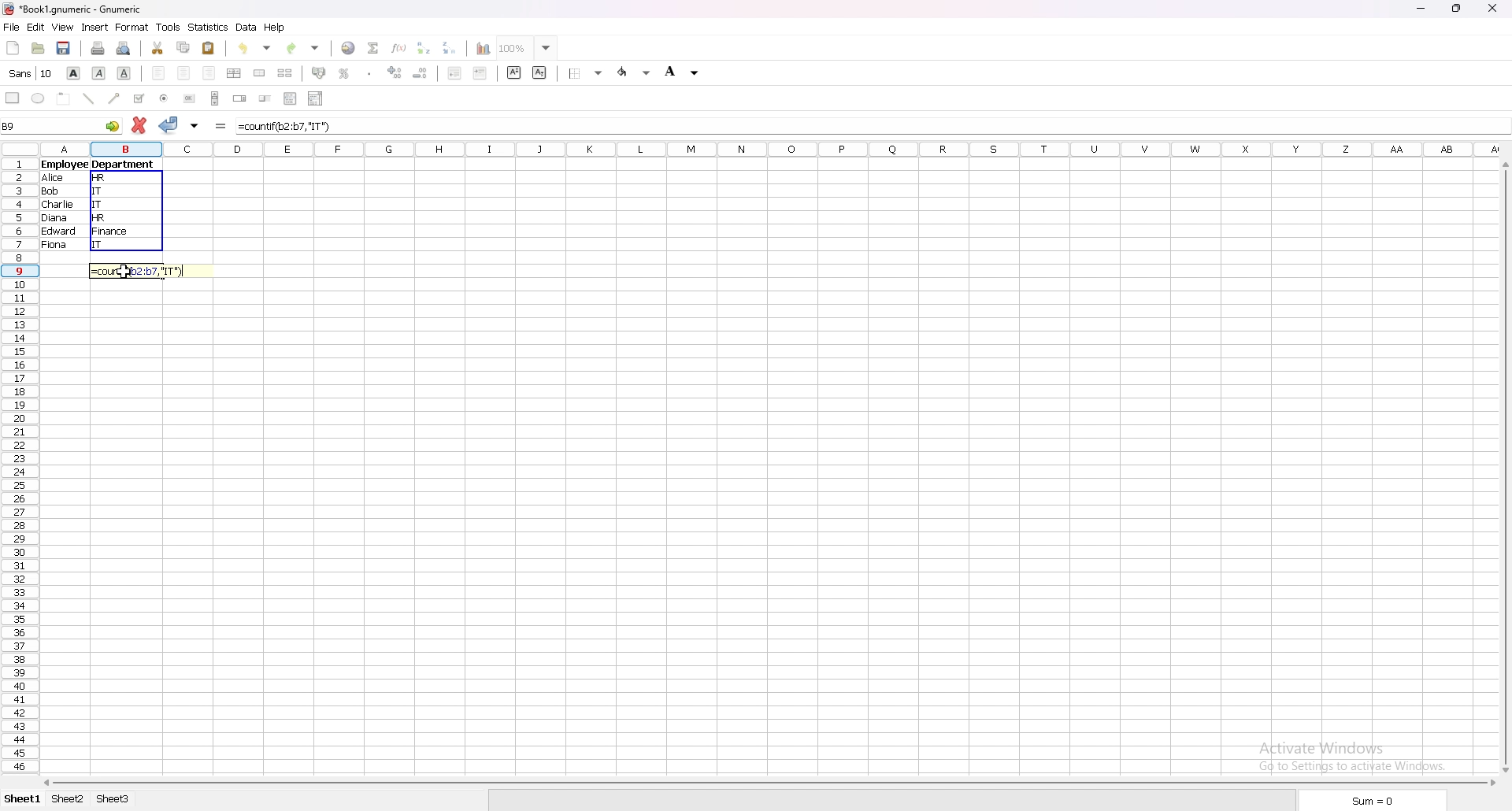 The width and height of the screenshot is (1512, 811). Describe the element at coordinates (1458, 8) in the screenshot. I see `resize` at that location.